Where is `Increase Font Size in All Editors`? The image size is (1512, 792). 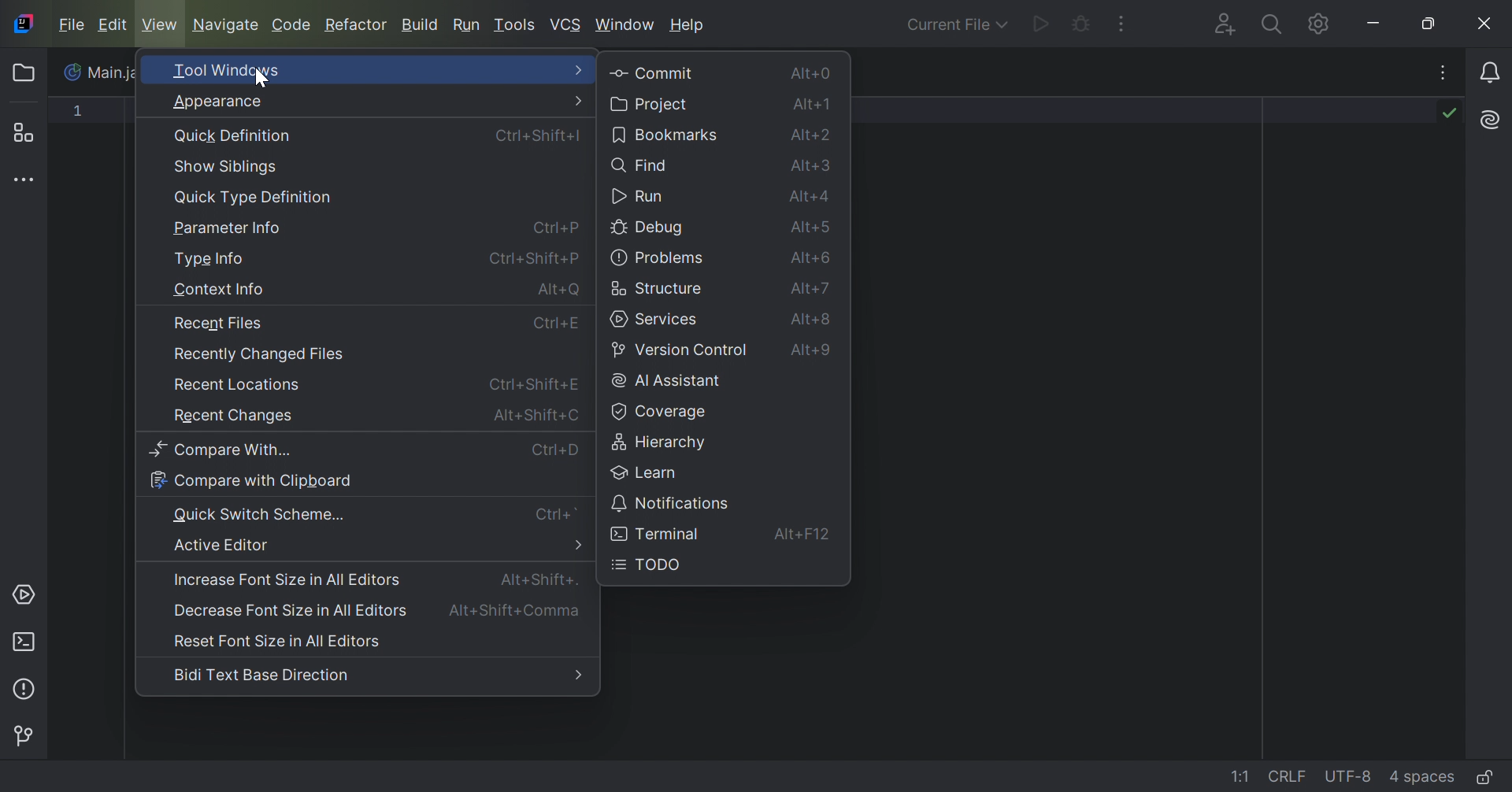
Increase Font Size in All Editors is located at coordinates (288, 580).